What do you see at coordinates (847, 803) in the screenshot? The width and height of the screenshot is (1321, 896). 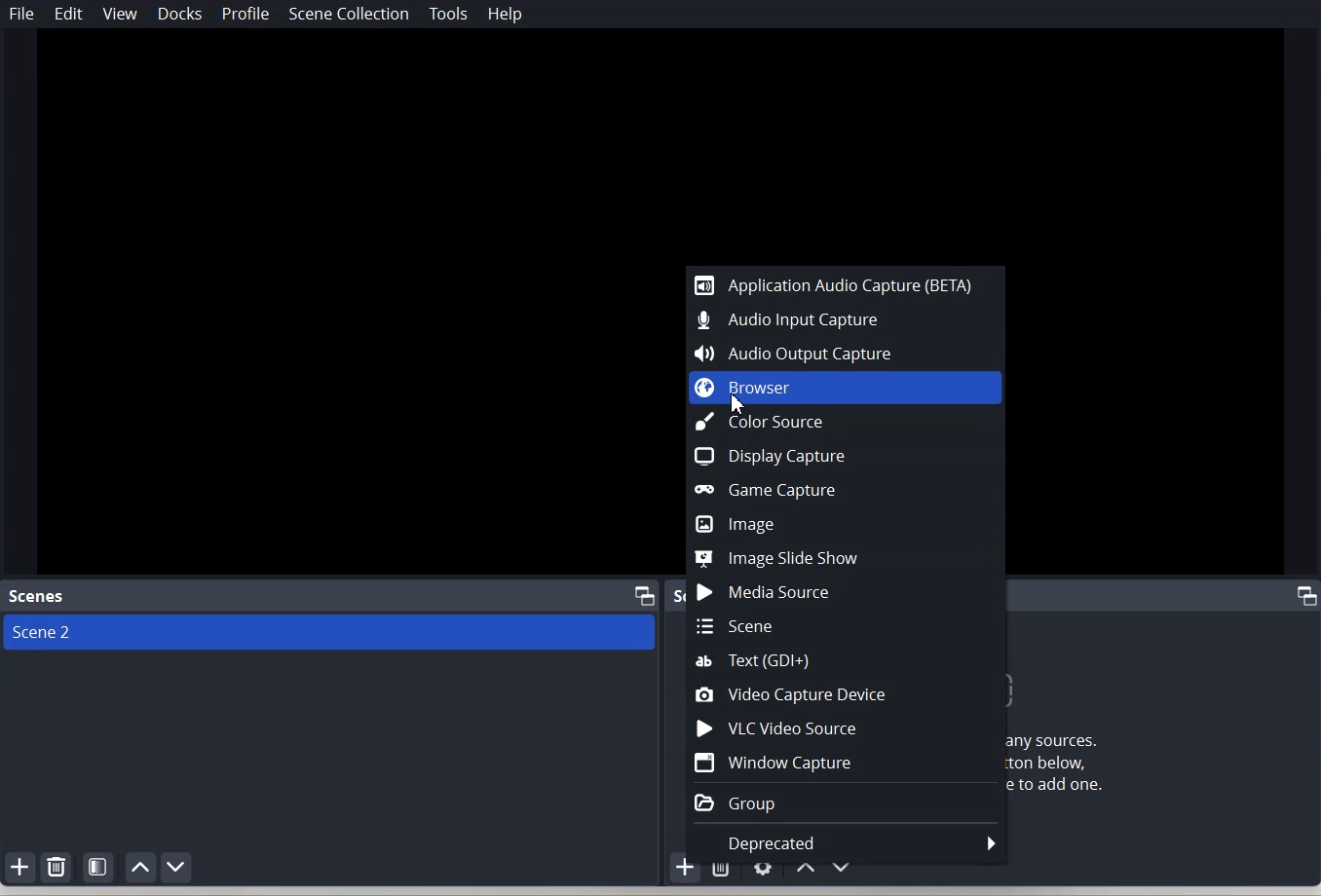 I see `Group ` at bounding box center [847, 803].